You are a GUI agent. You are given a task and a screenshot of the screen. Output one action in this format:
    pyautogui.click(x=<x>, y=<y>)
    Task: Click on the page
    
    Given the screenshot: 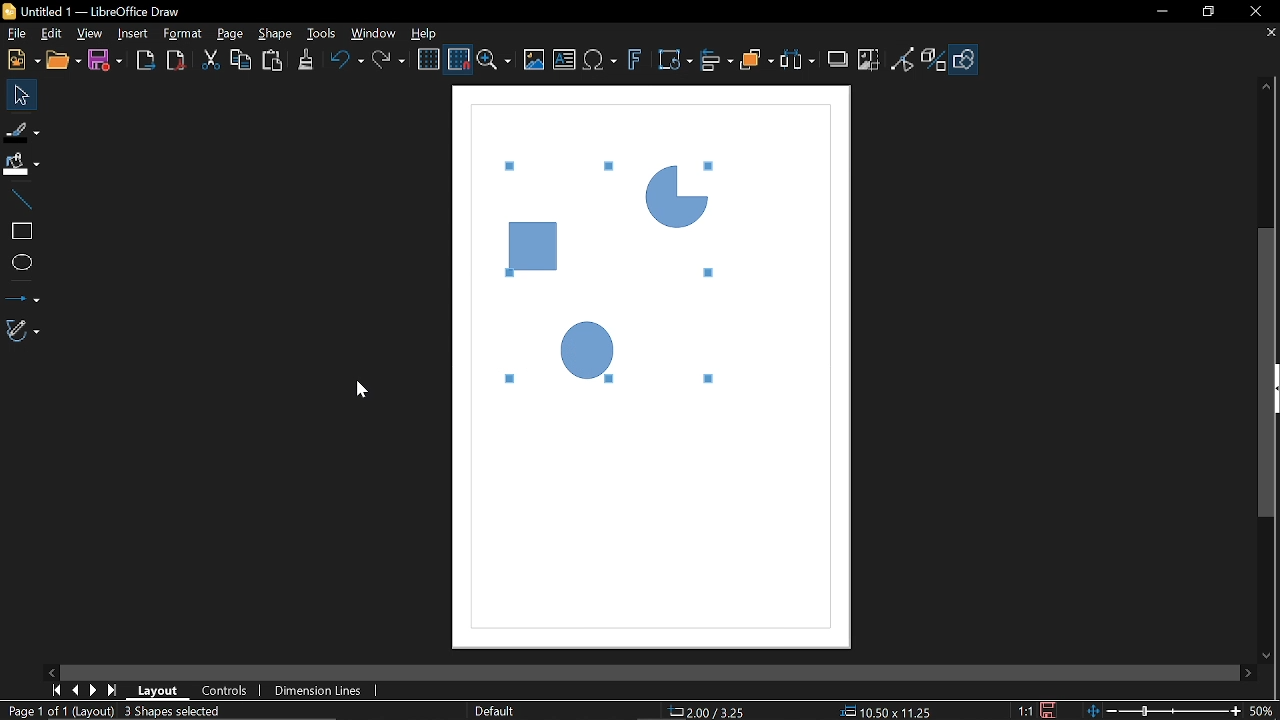 What is the action you would take?
    pyautogui.click(x=232, y=35)
    